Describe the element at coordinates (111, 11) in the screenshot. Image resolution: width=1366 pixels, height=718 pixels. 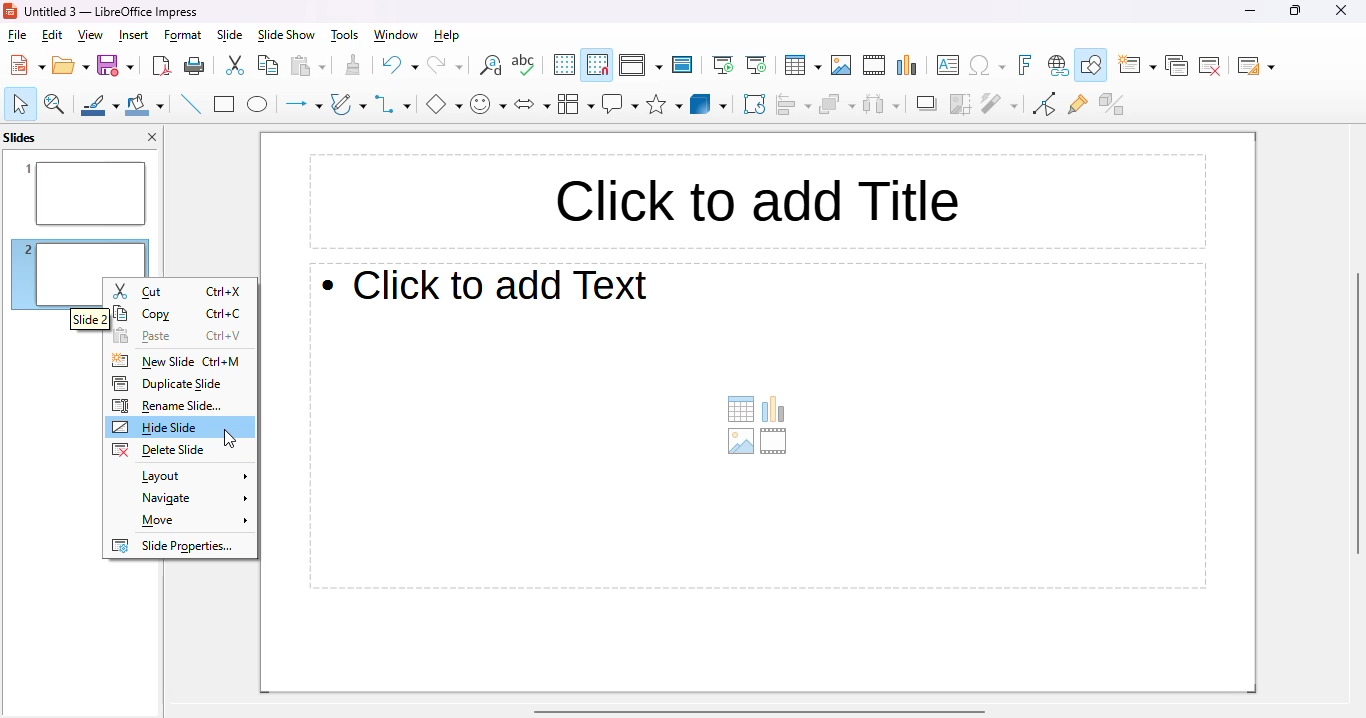
I see `Untitle 3 -LibreOffice Impress` at that location.